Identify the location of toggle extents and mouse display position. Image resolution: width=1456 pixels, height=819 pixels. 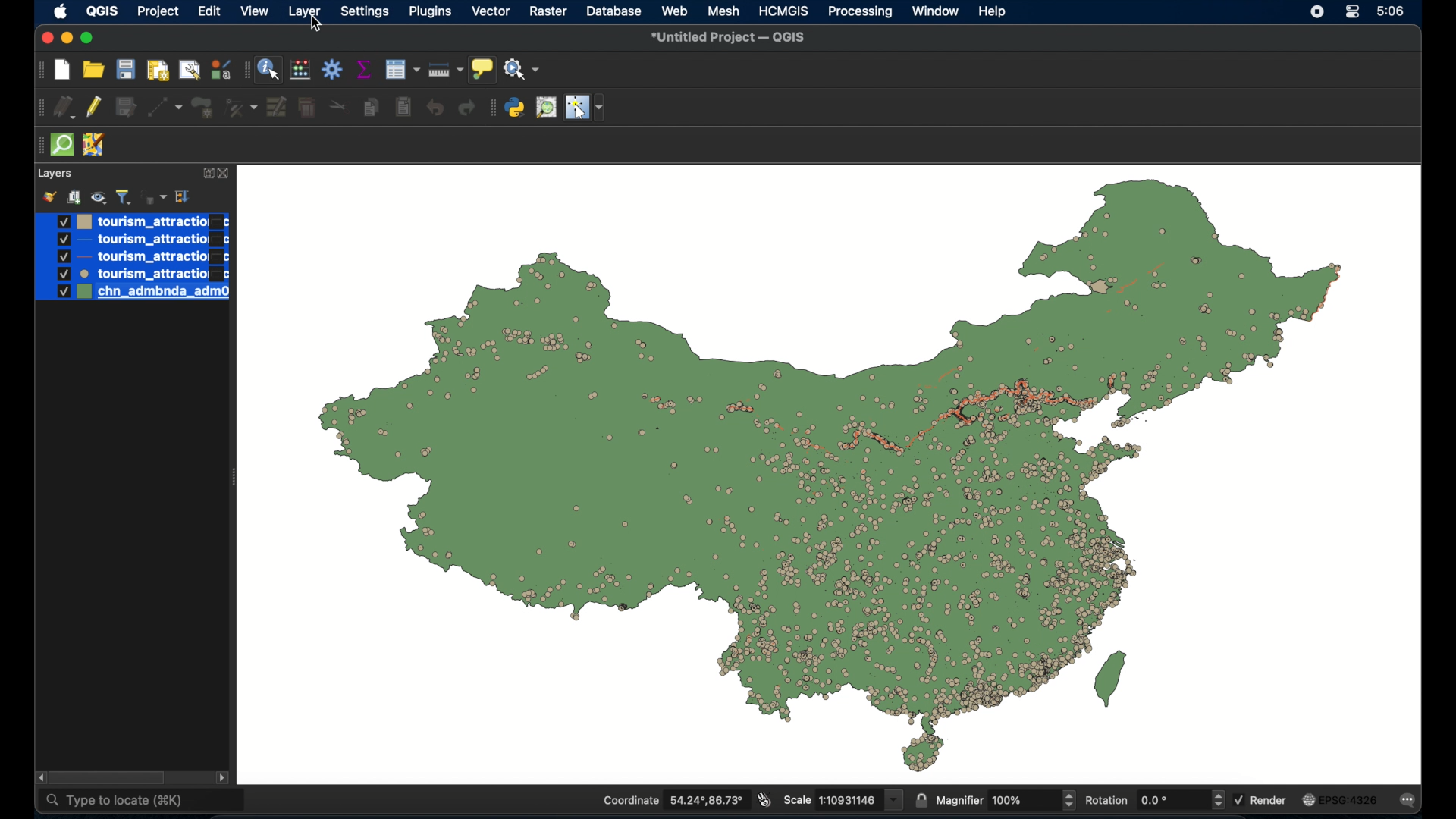
(765, 801).